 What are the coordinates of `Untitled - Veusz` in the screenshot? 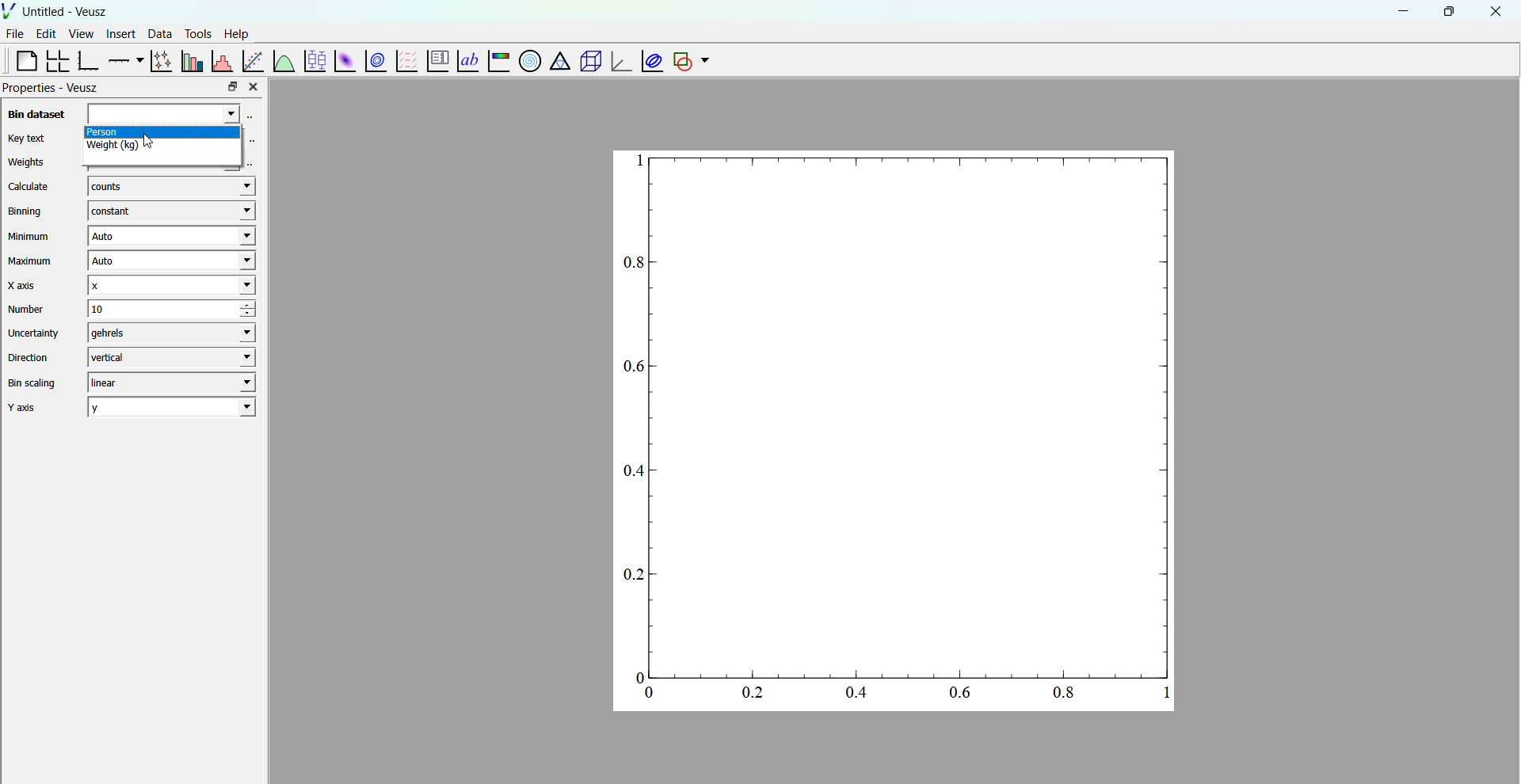 It's located at (67, 12).